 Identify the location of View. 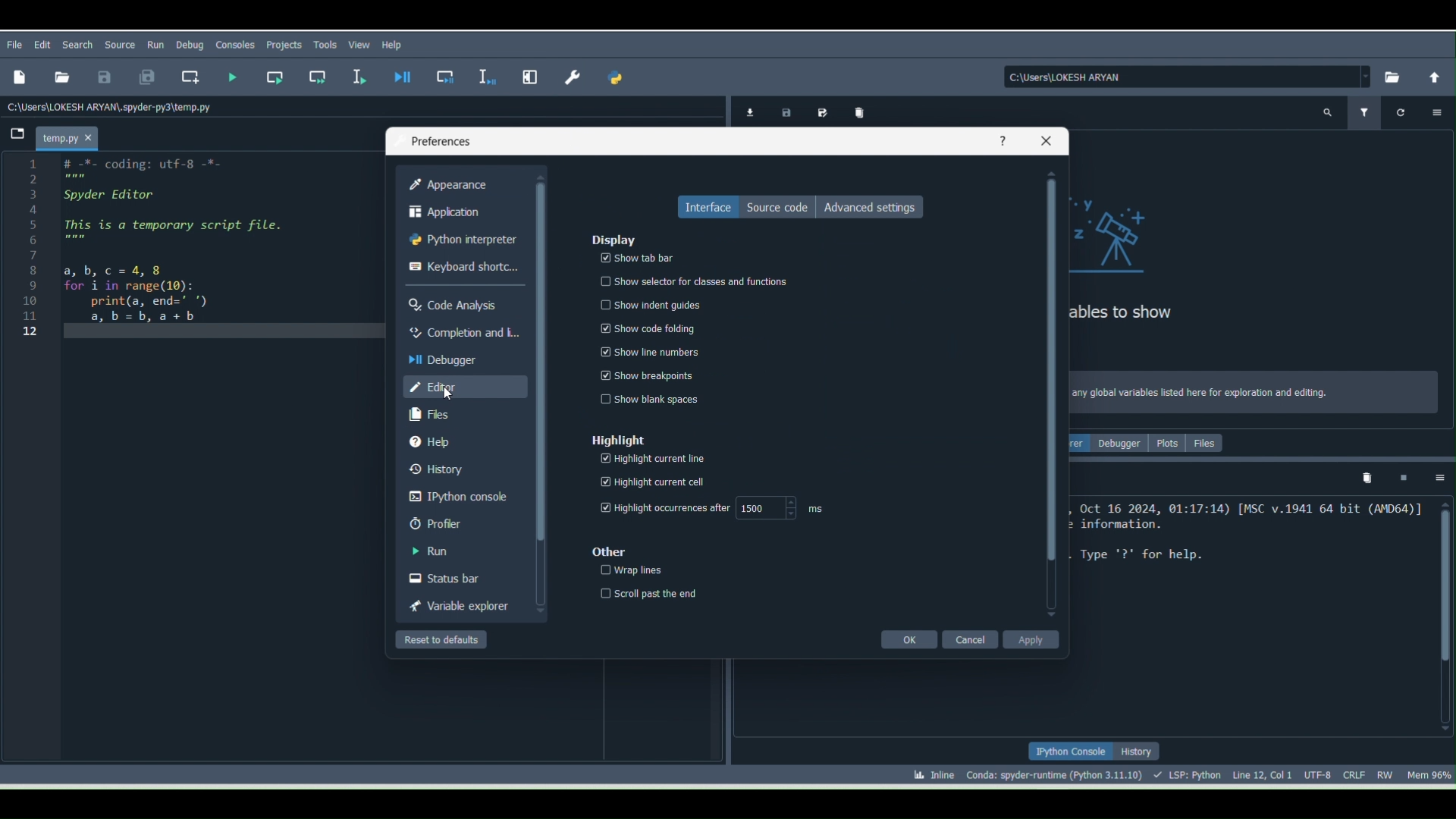
(360, 44).